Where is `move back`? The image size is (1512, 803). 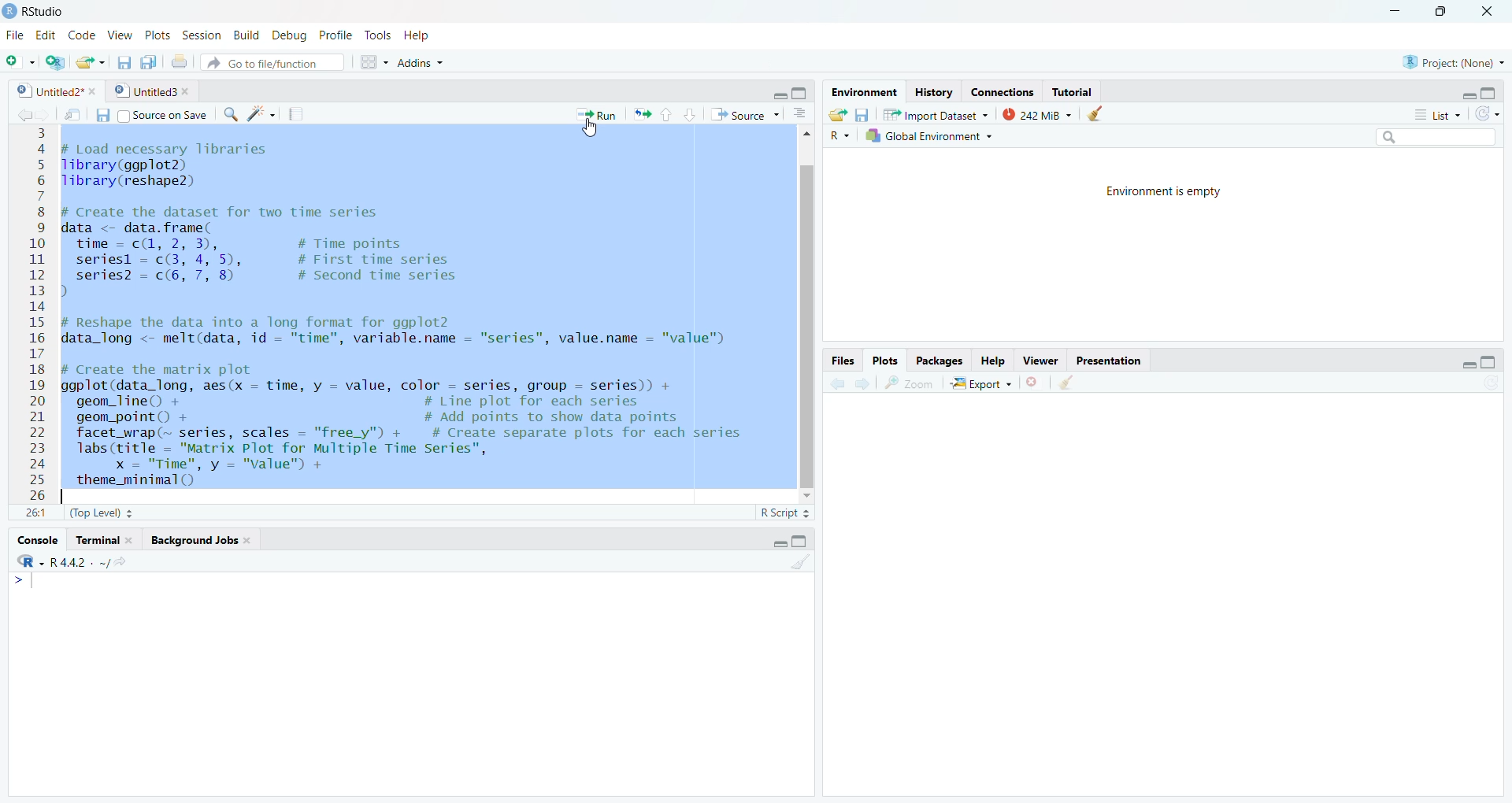
move back is located at coordinates (836, 382).